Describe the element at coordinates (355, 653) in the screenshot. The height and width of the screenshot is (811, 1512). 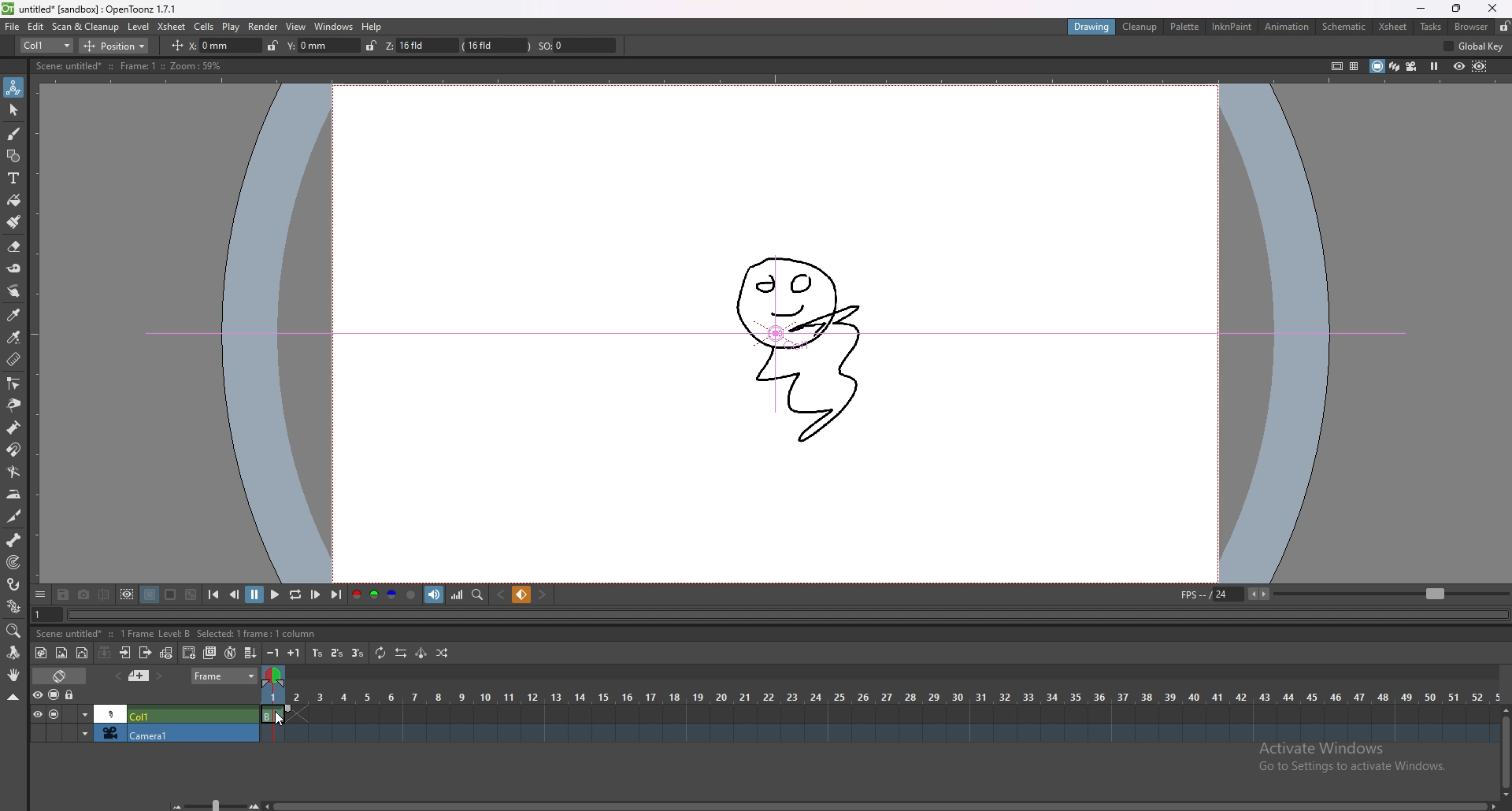
I see `reframe on 3s` at that location.